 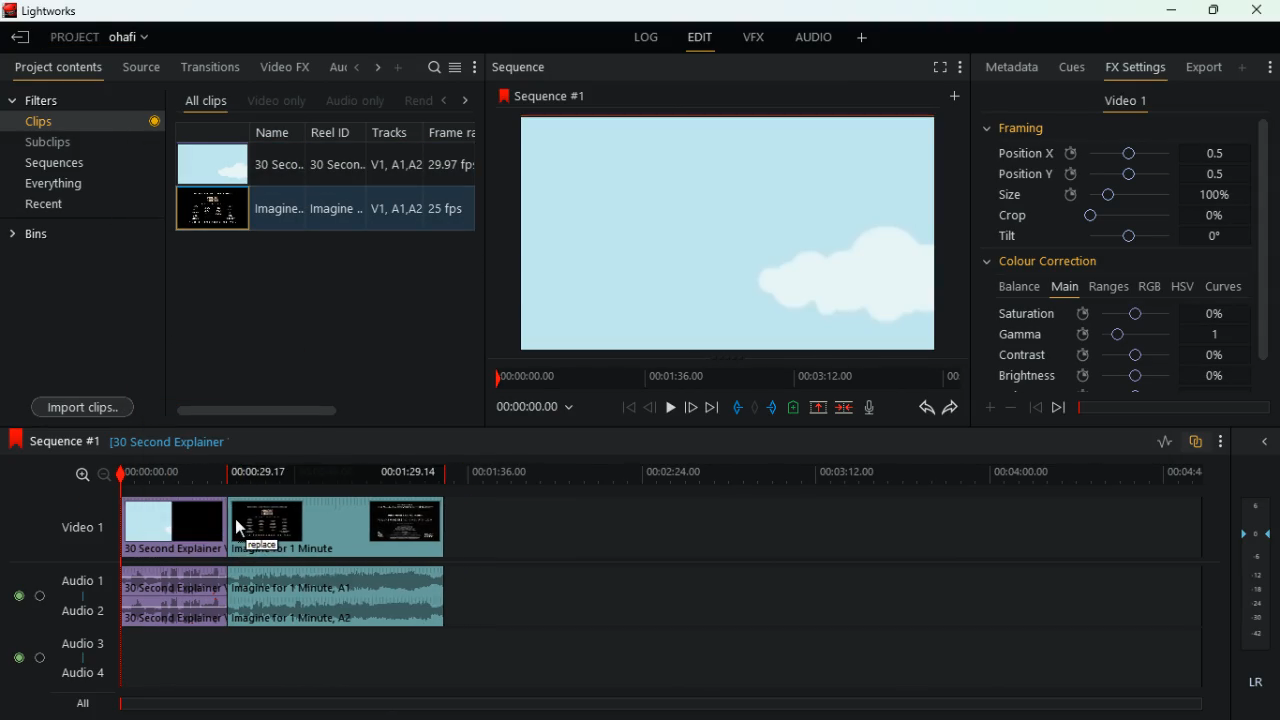 What do you see at coordinates (74, 37) in the screenshot?
I see `project` at bounding box center [74, 37].